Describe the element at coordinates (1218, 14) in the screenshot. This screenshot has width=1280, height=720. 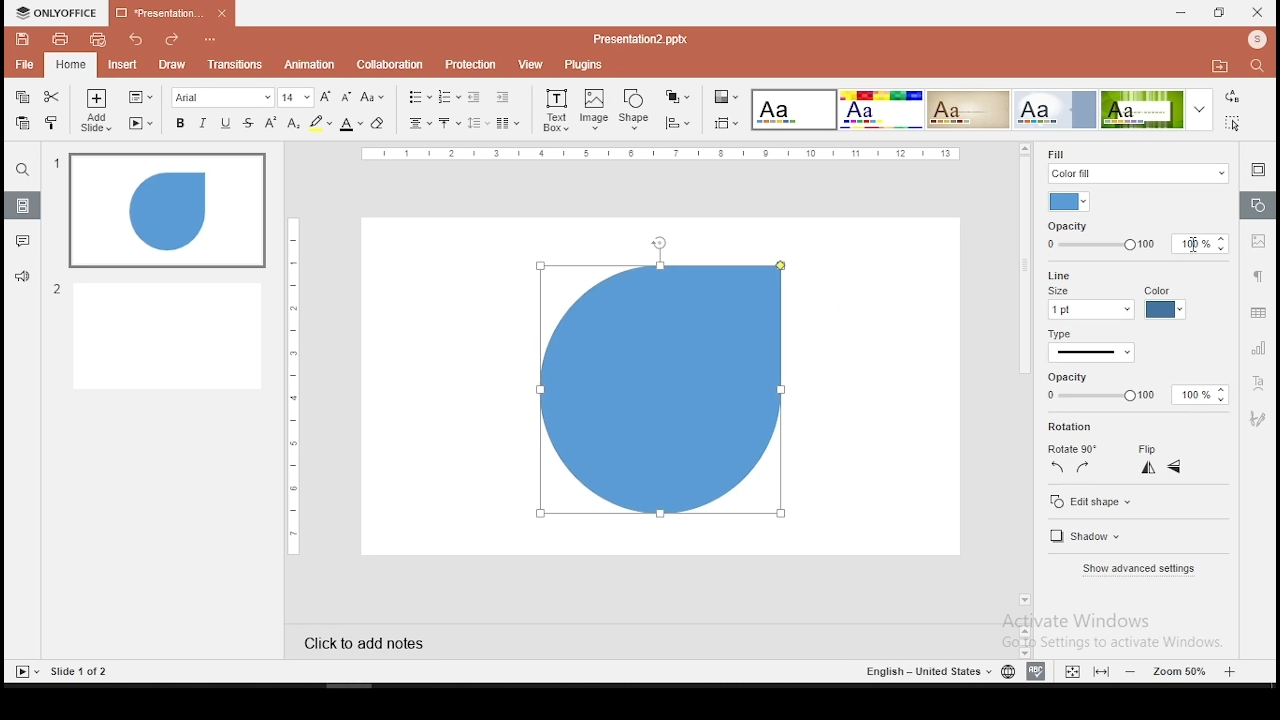
I see `restore` at that location.